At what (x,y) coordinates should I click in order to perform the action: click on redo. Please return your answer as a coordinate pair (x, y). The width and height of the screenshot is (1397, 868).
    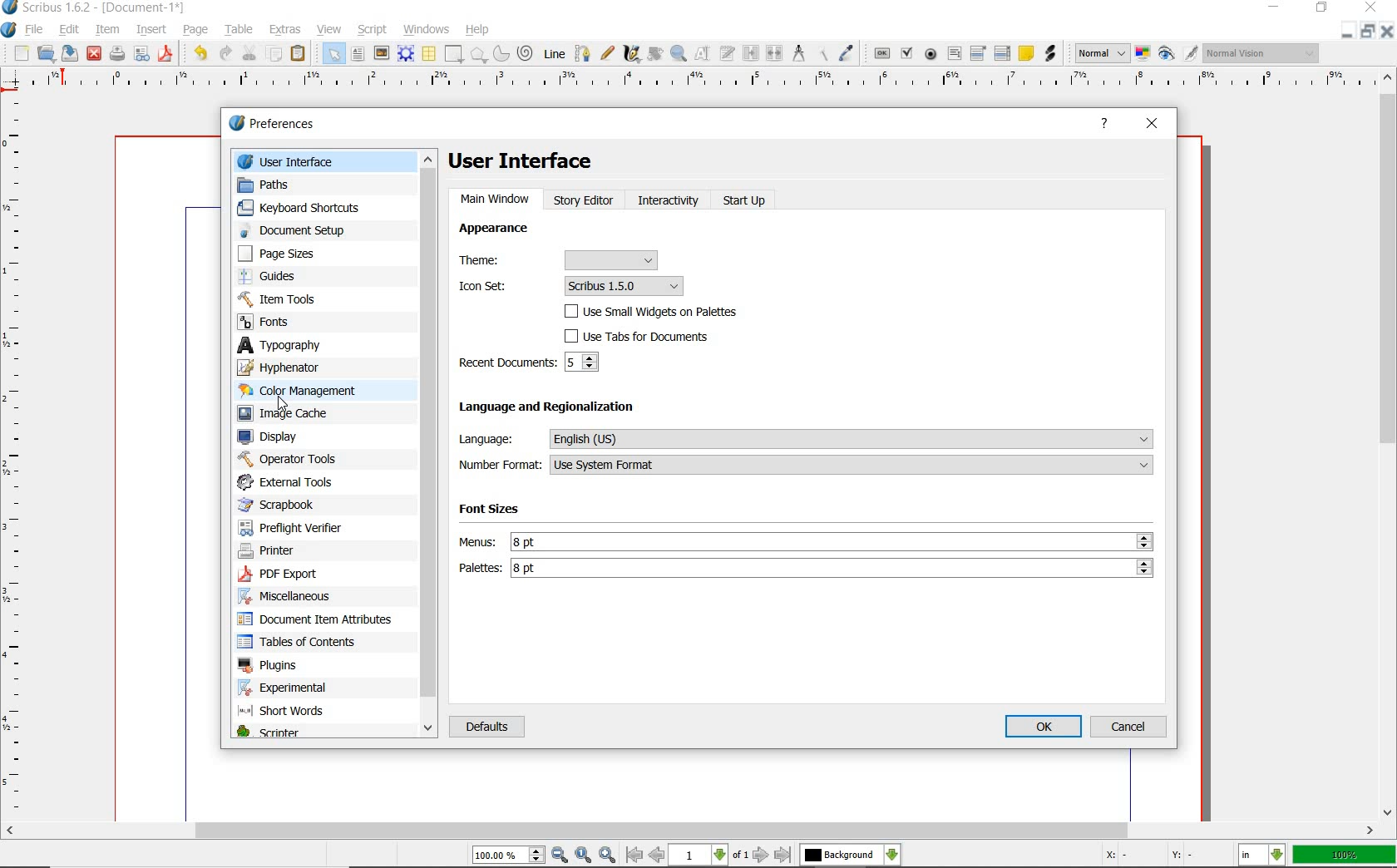
    Looking at the image, I should click on (227, 54).